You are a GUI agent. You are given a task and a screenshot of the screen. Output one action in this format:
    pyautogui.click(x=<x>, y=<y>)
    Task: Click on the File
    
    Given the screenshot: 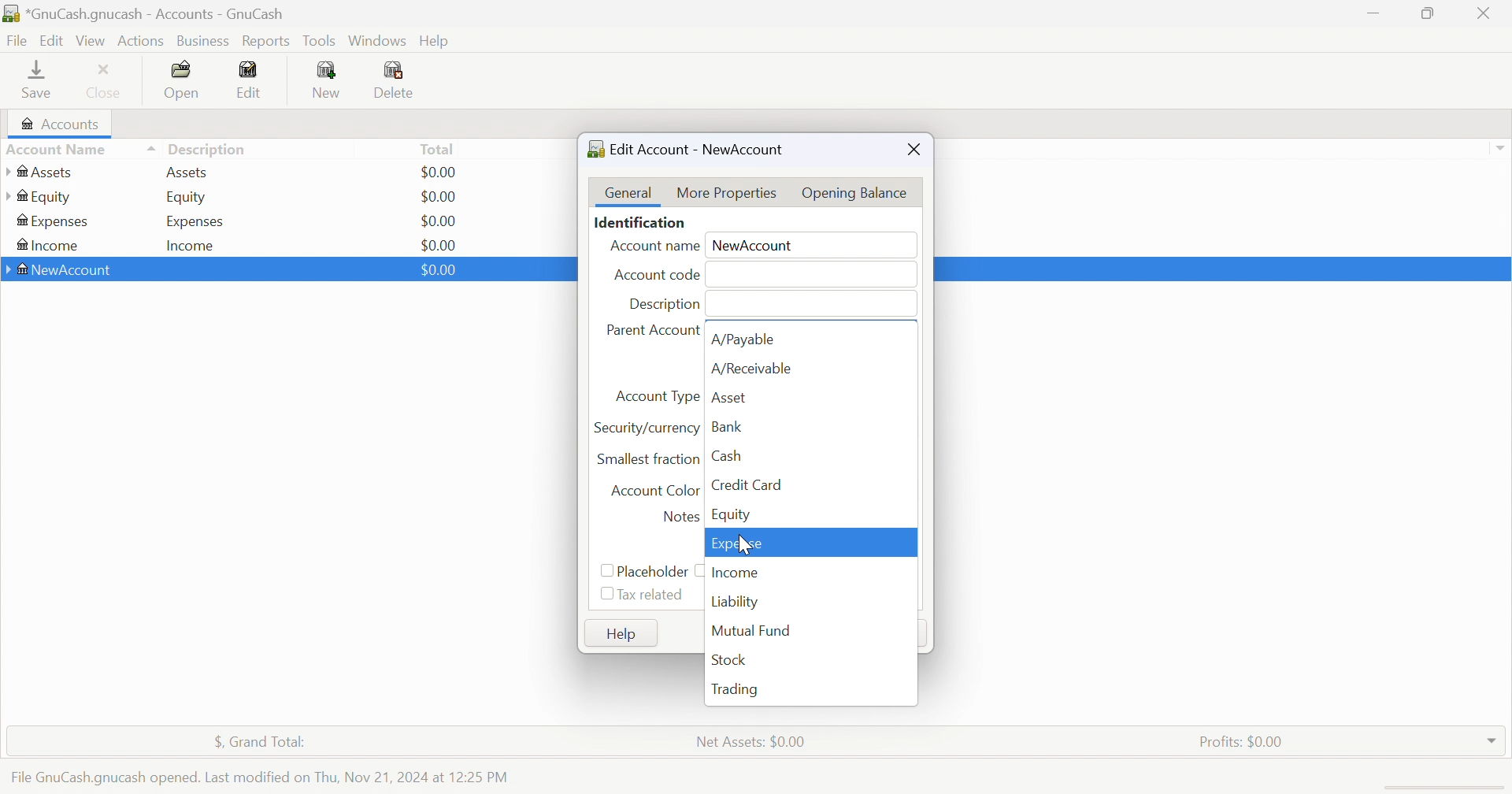 What is the action you would take?
    pyautogui.click(x=17, y=42)
    